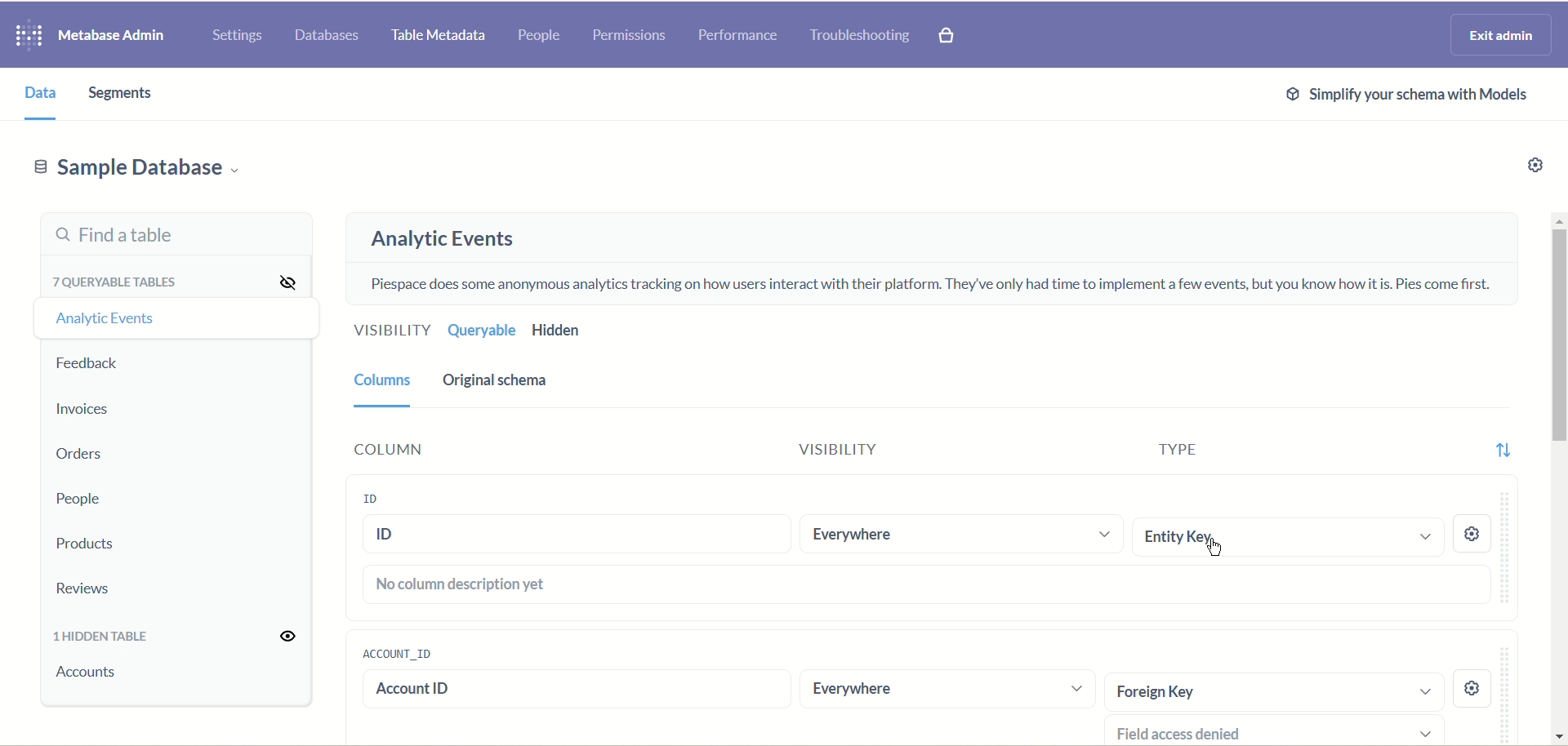 Image resolution: width=1568 pixels, height=746 pixels. What do you see at coordinates (176, 233) in the screenshot?
I see `find a table` at bounding box center [176, 233].